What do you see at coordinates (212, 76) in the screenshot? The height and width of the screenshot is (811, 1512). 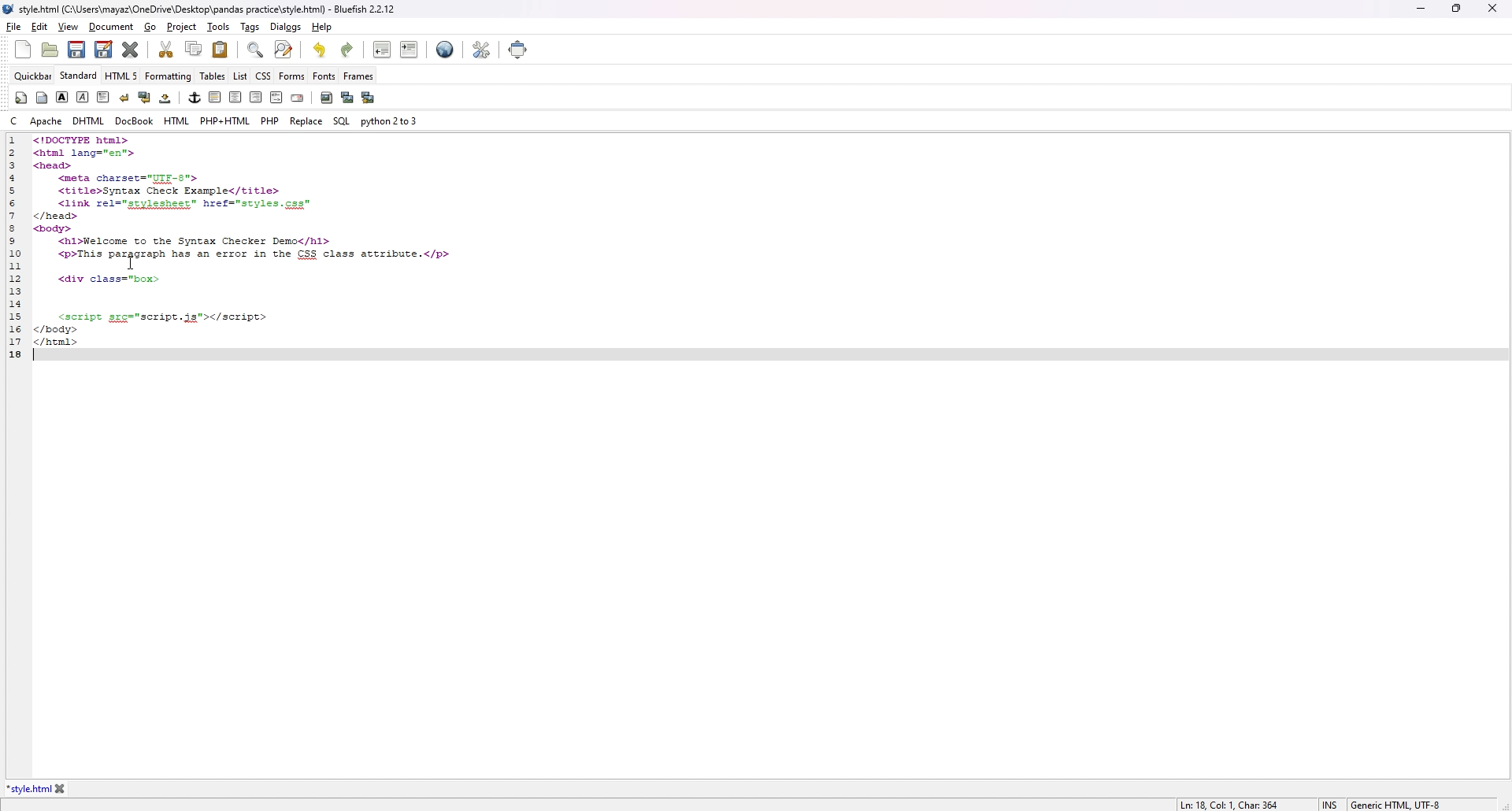 I see `tables` at bounding box center [212, 76].